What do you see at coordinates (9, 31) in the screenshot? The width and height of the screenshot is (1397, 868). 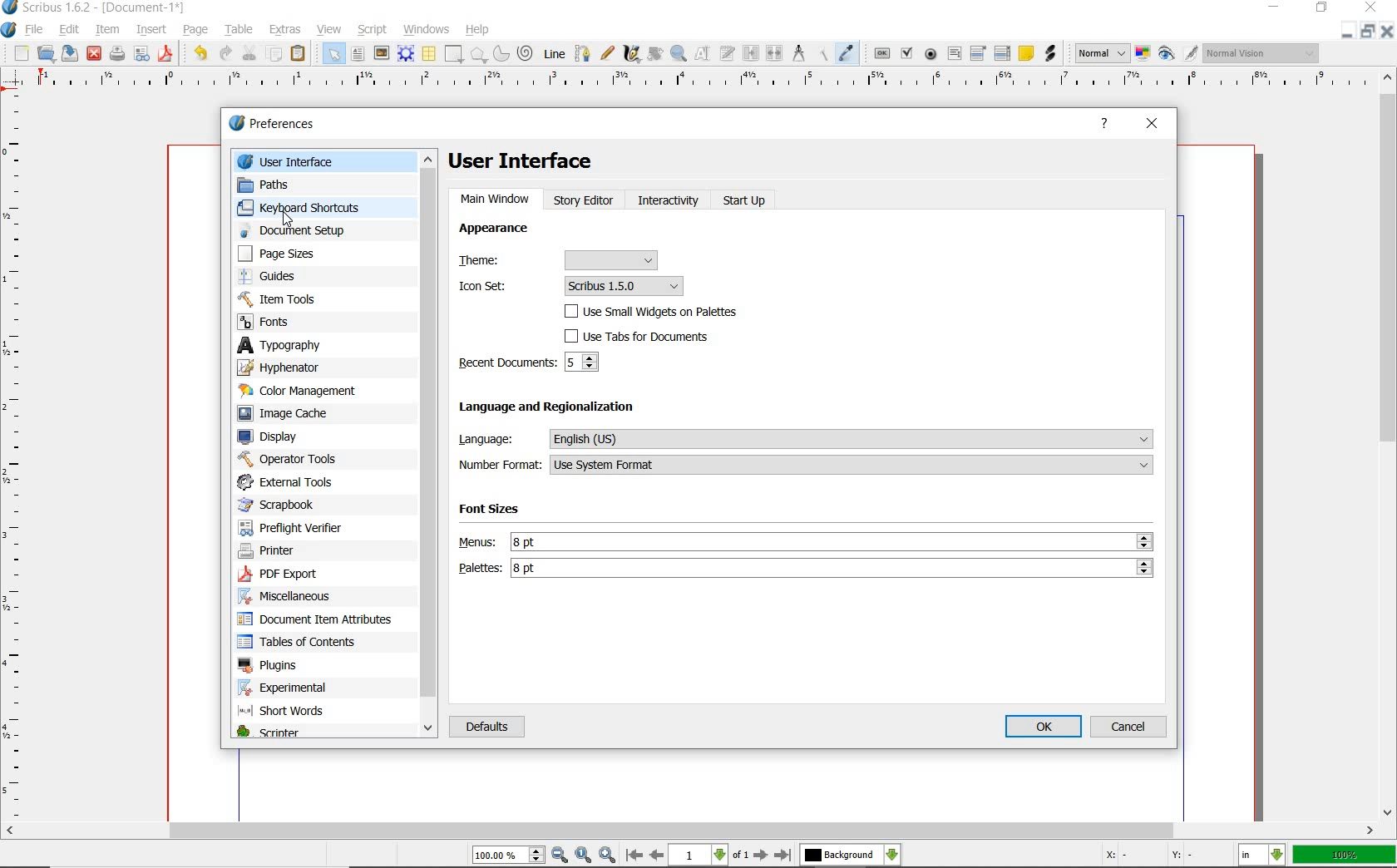 I see `system logo` at bounding box center [9, 31].